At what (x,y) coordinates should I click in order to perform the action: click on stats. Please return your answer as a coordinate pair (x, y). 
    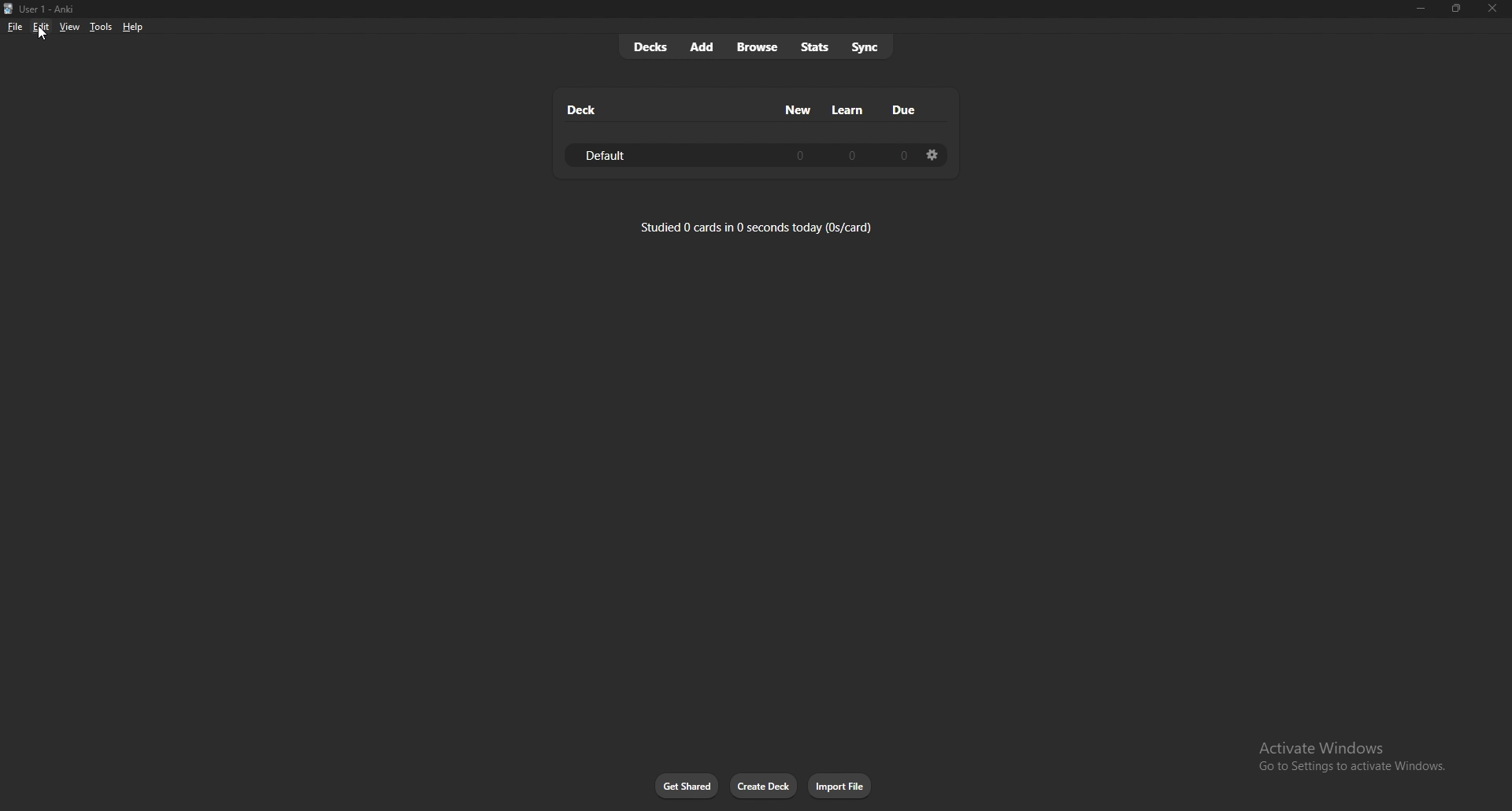
    Looking at the image, I should click on (816, 46).